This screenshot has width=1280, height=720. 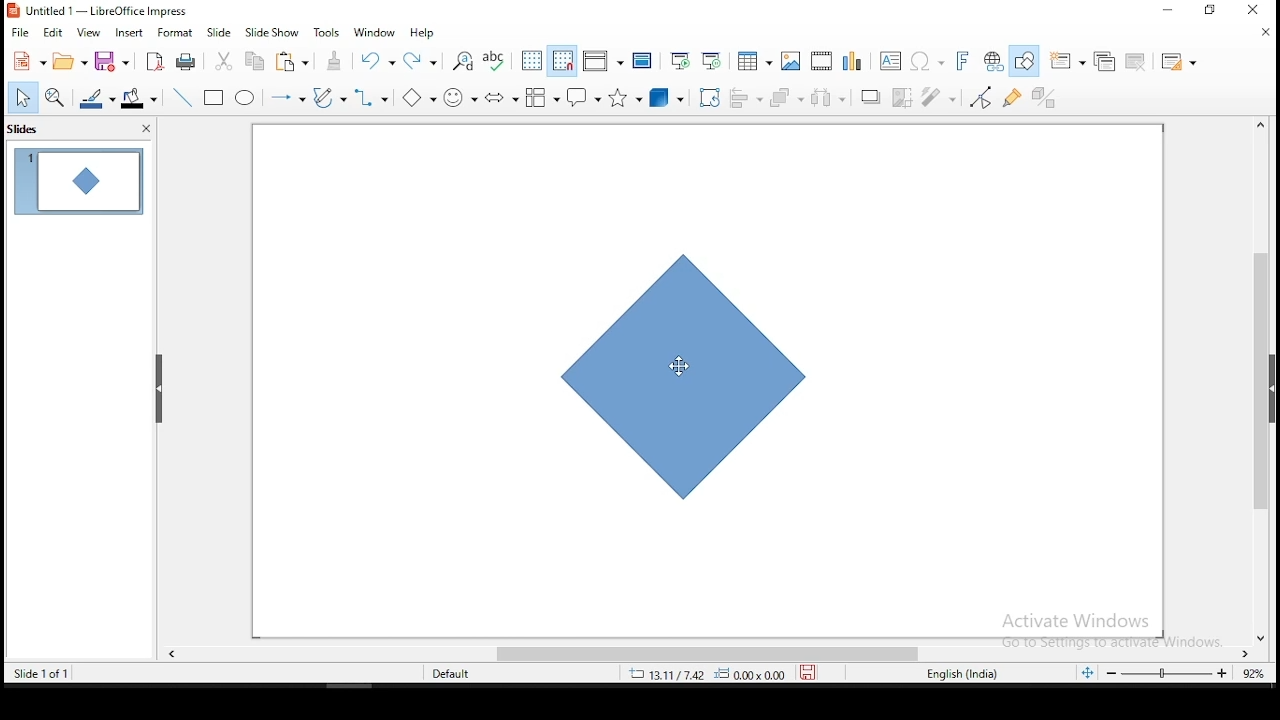 What do you see at coordinates (183, 97) in the screenshot?
I see `line` at bounding box center [183, 97].